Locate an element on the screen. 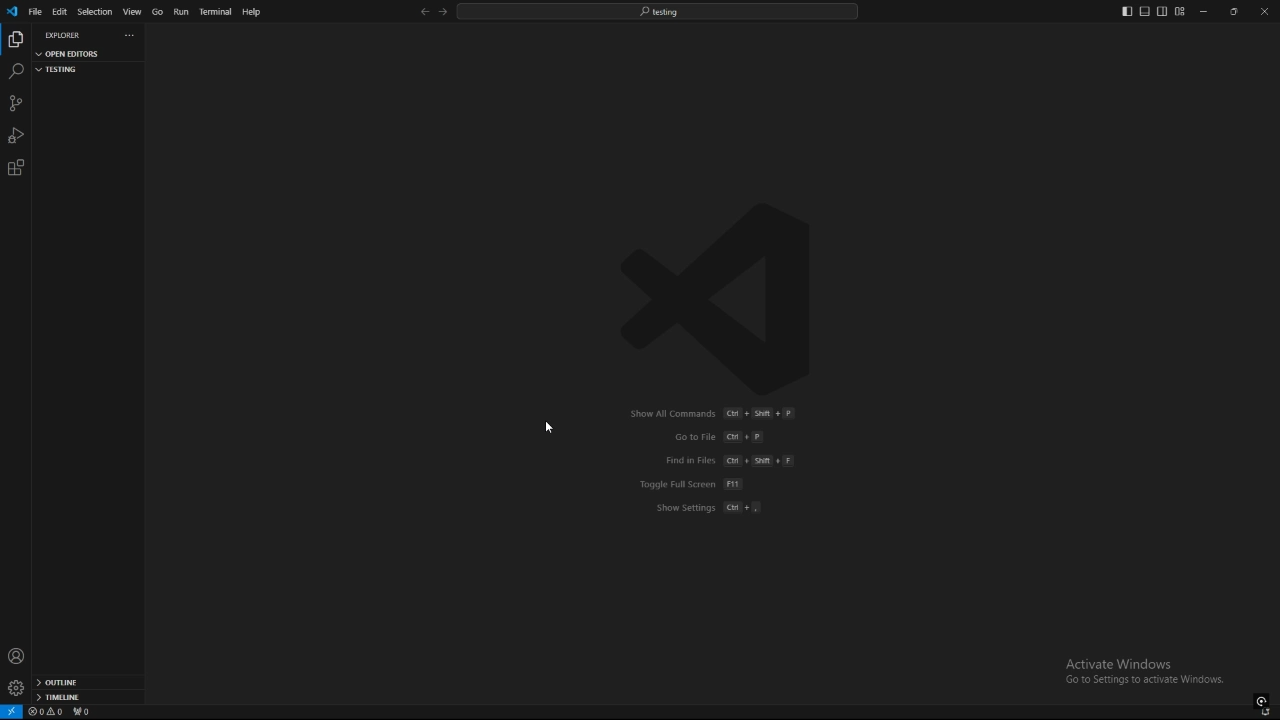  settings is located at coordinates (15, 688).